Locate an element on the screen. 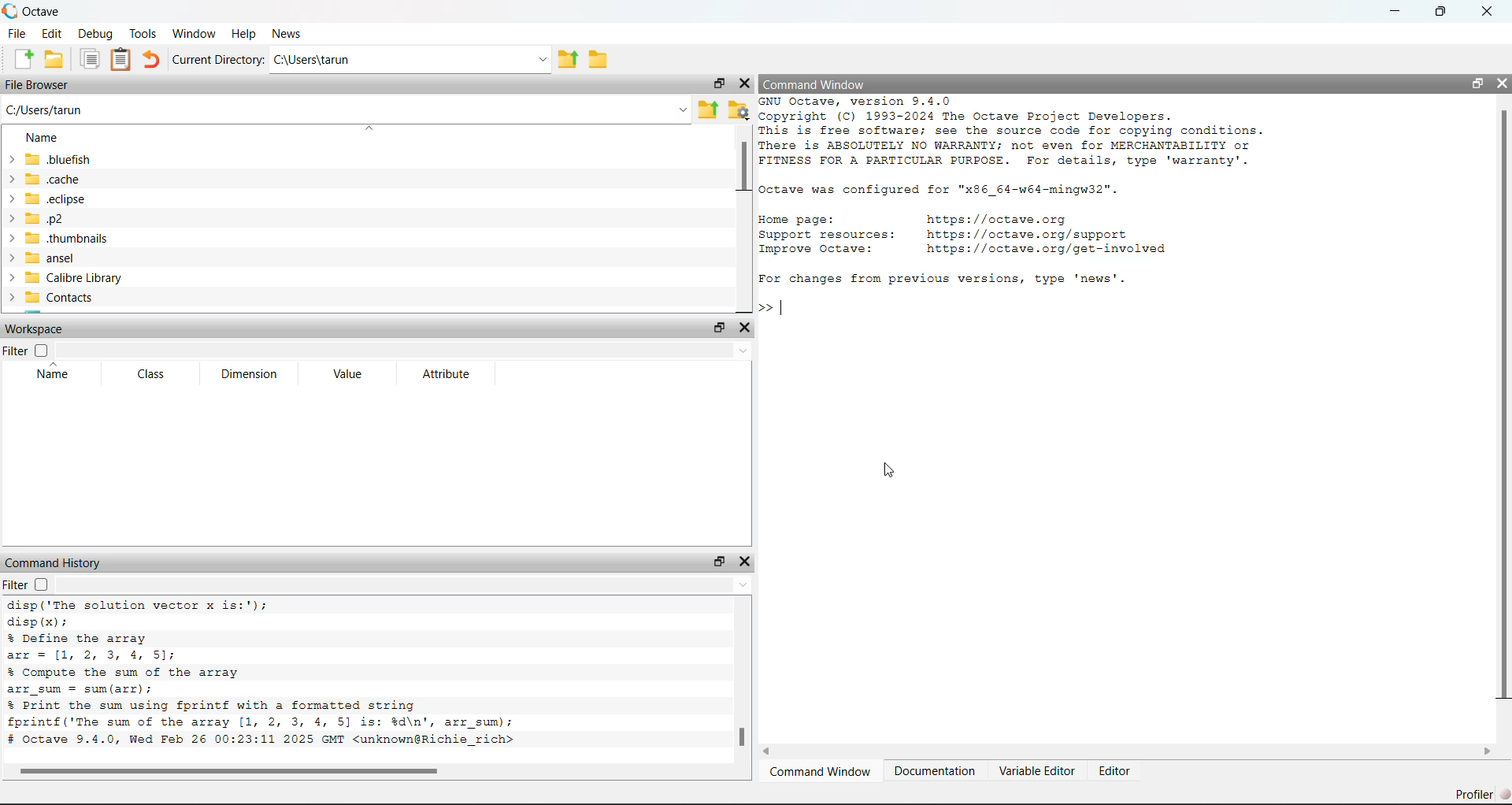 The height and width of the screenshot is (805, 1512). bluefish is located at coordinates (50, 158).